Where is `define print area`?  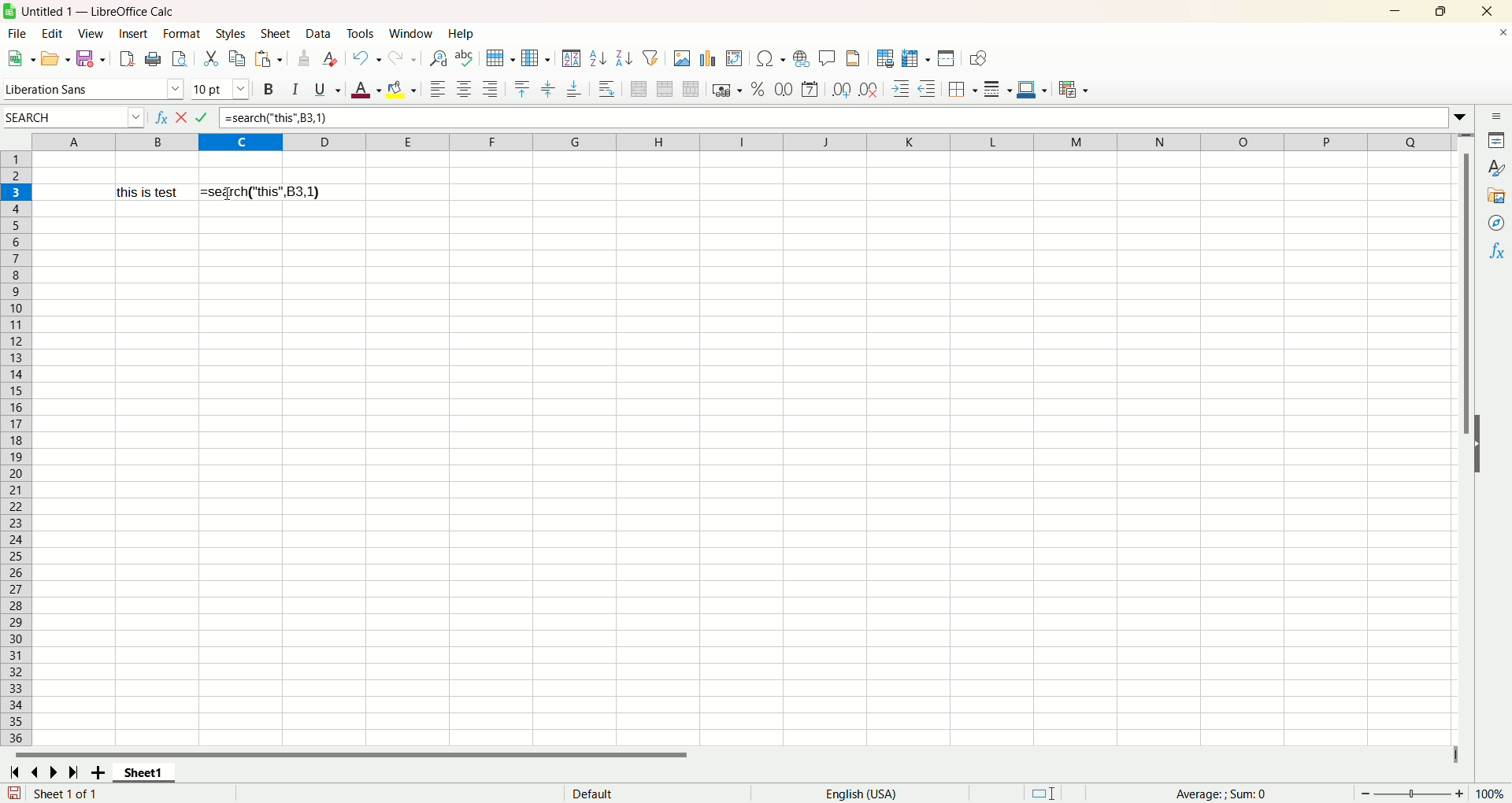 define print area is located at coordinates (884, 58).